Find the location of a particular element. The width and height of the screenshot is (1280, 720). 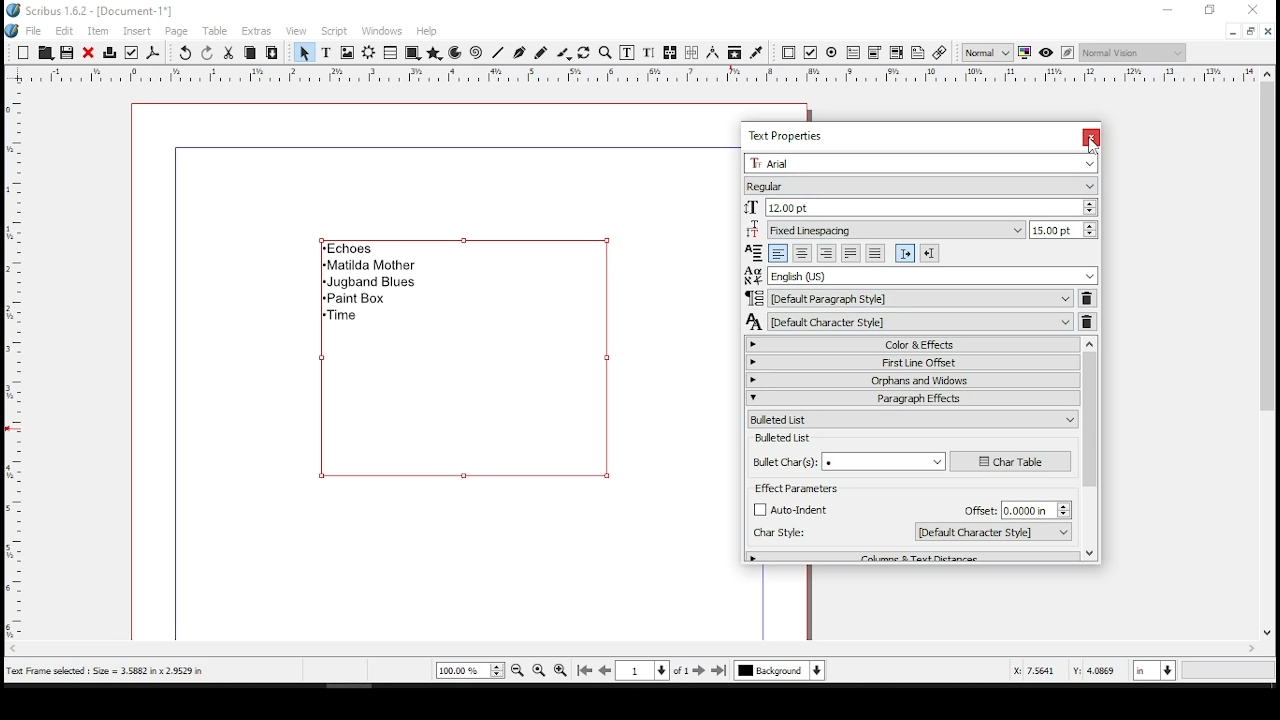

redo is located at coordinates (208, 52).